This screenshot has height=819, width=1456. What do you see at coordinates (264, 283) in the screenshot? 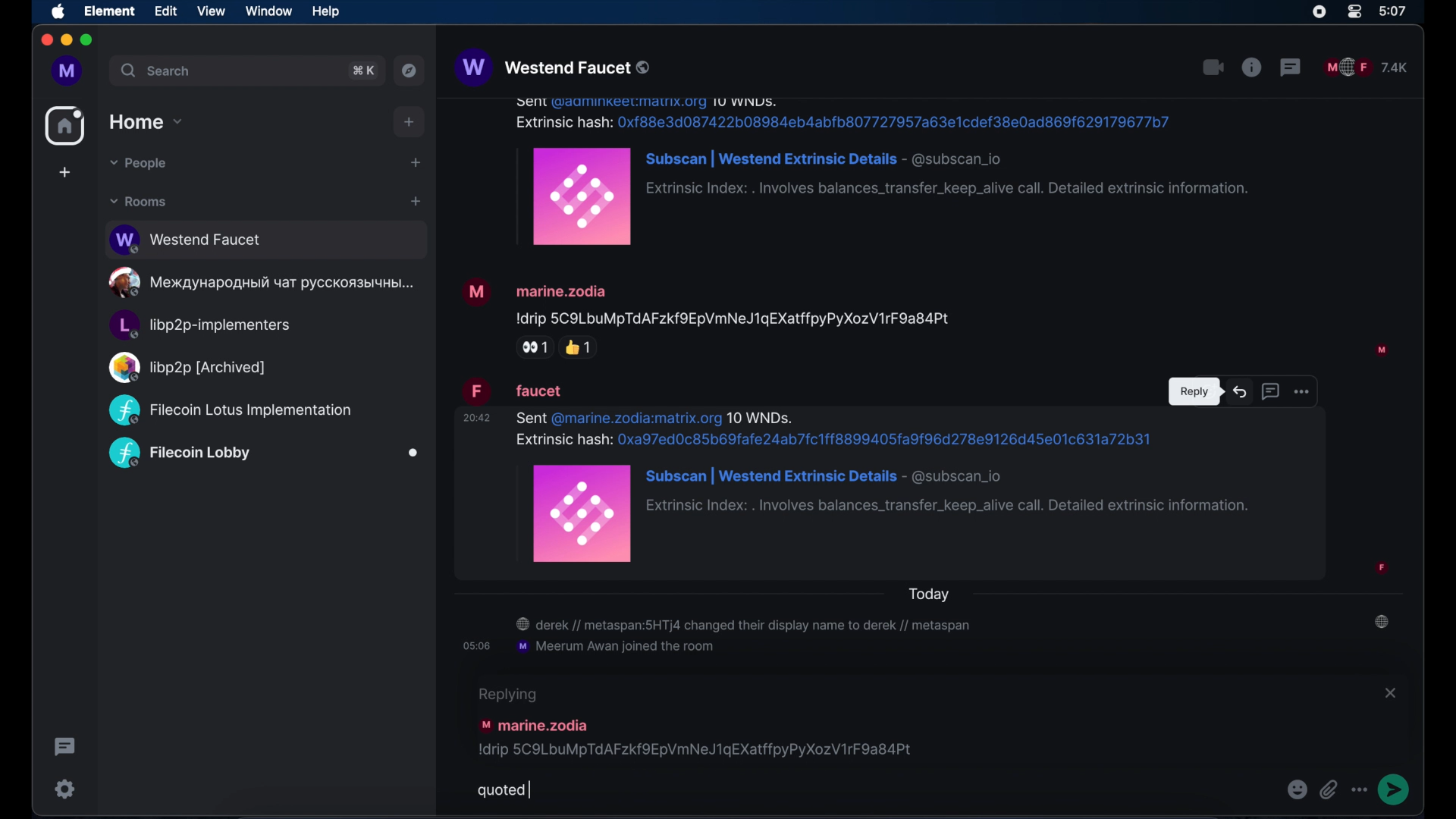
I see `public room` at bounding box center [264, 283].